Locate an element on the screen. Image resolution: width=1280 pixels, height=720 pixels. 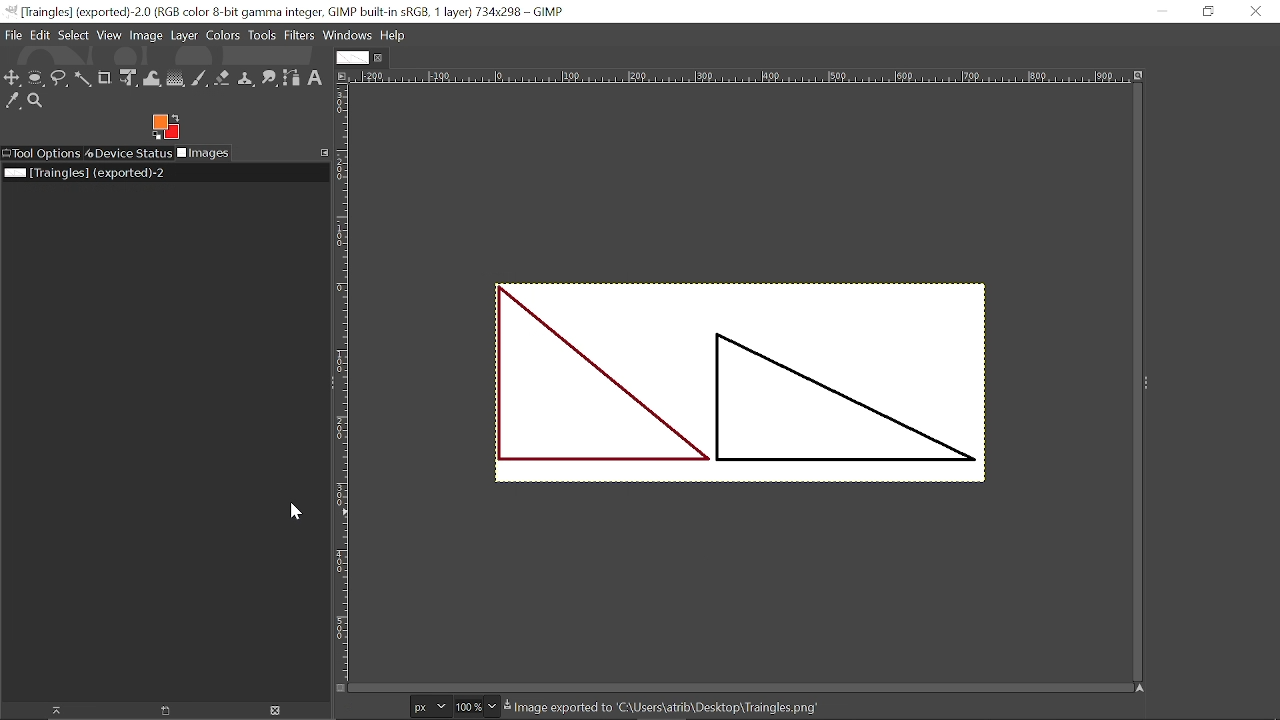
Text tool is located at coordinates (316, 79).